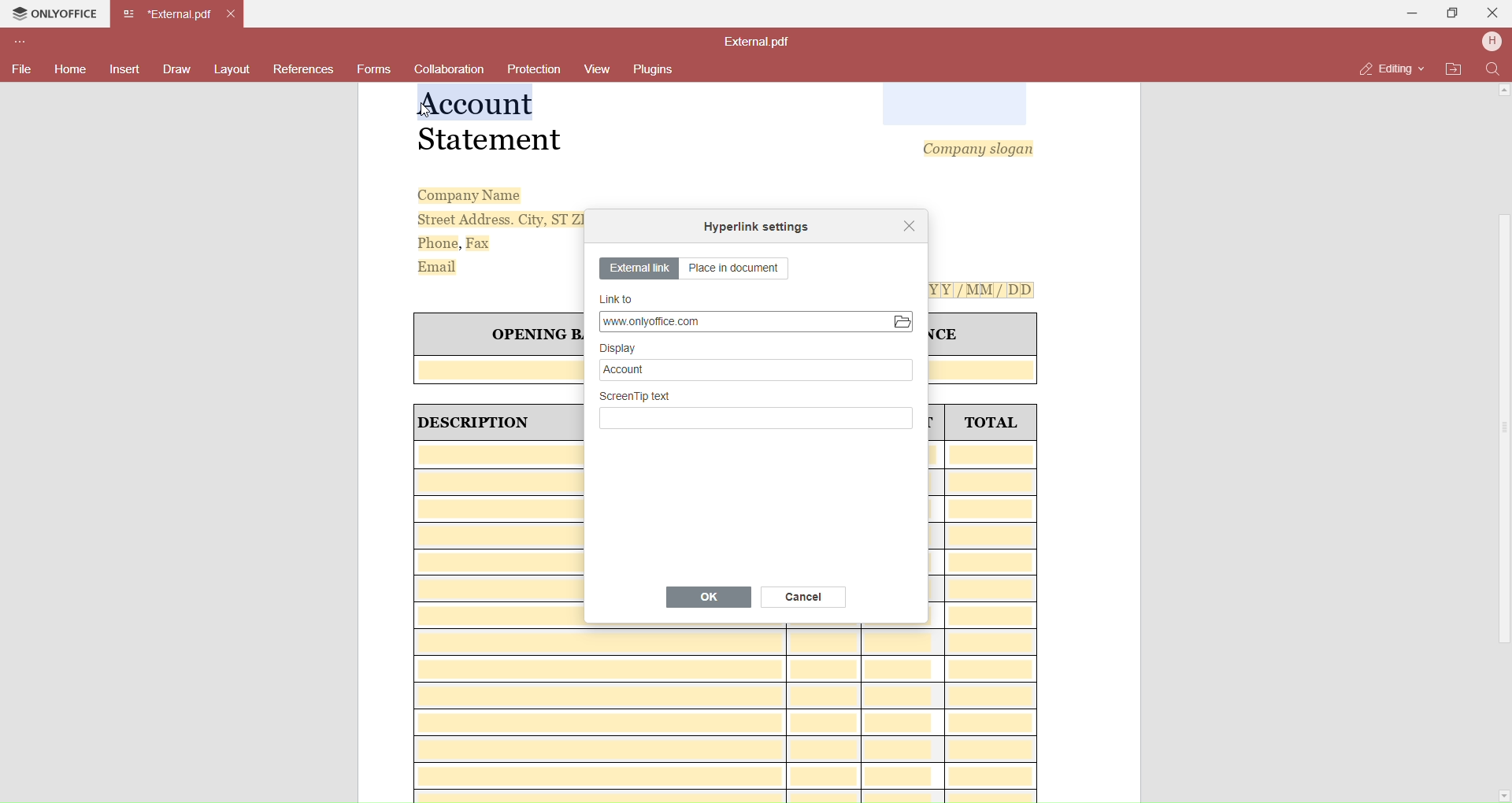  Describe the element at coordinates (491, 142) in the screenshot. I see `Statement` at that location.